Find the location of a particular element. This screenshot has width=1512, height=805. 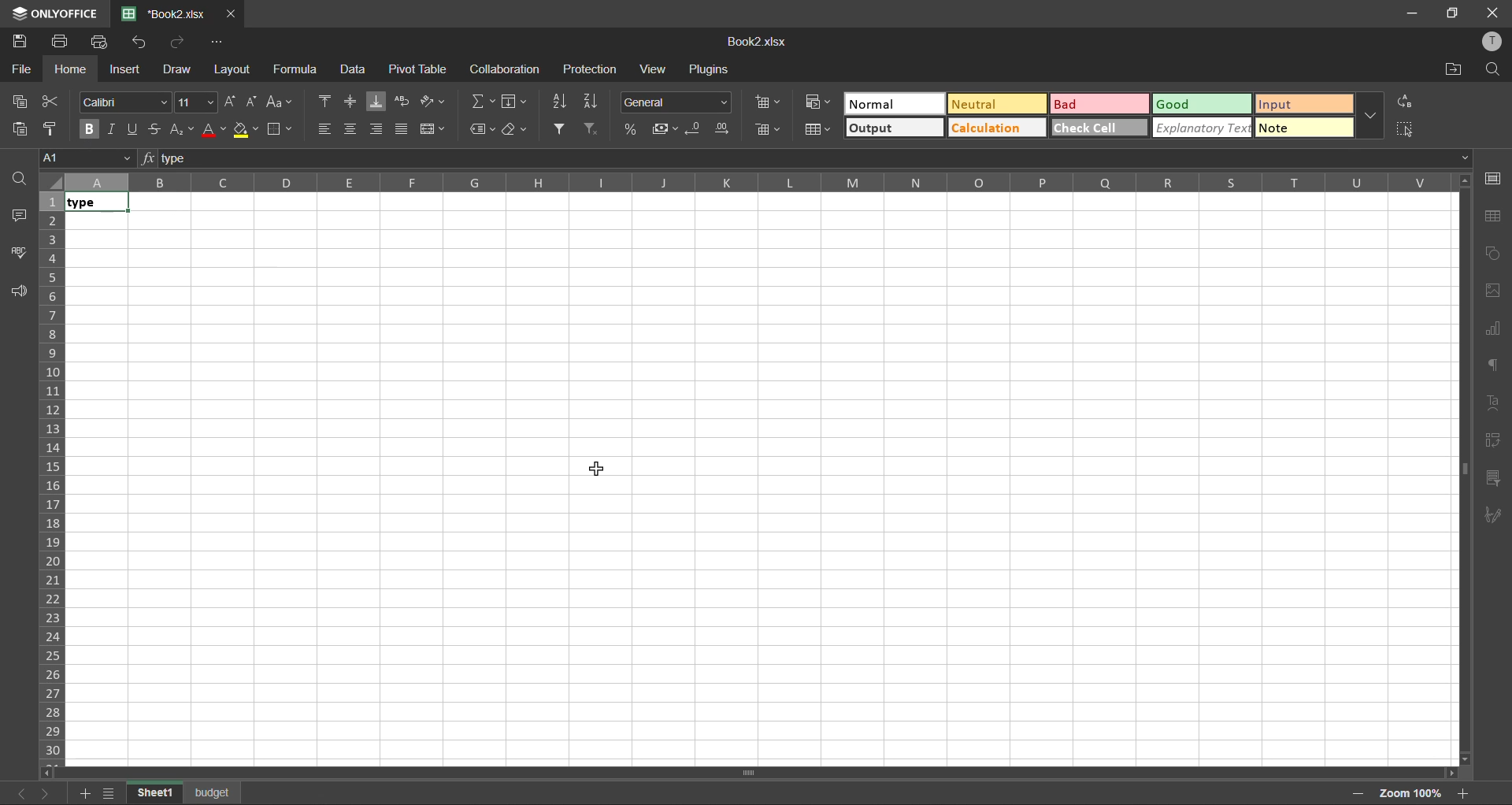

underline is located at coordinates (131, 131).